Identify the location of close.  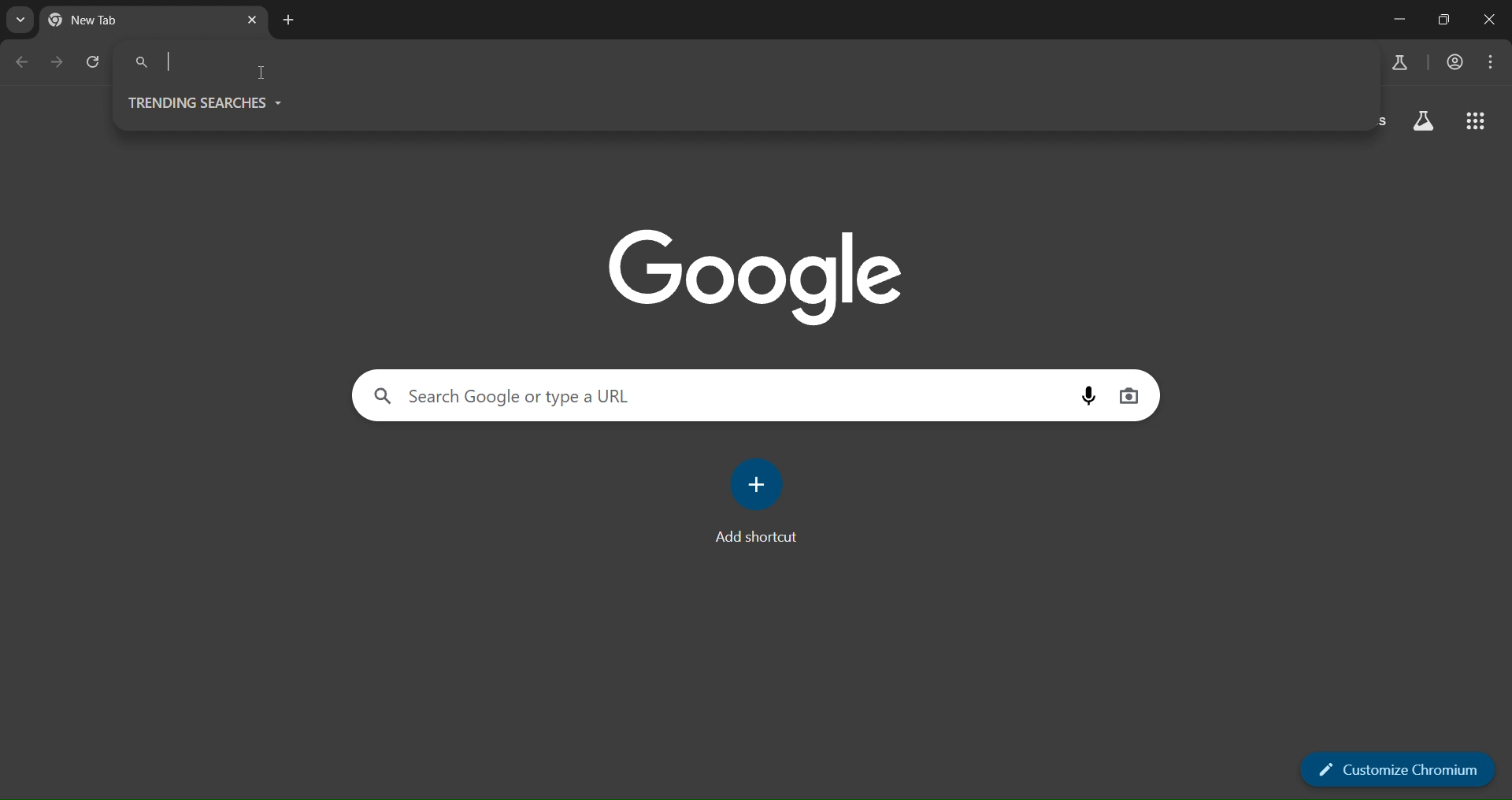
(1492, 21).